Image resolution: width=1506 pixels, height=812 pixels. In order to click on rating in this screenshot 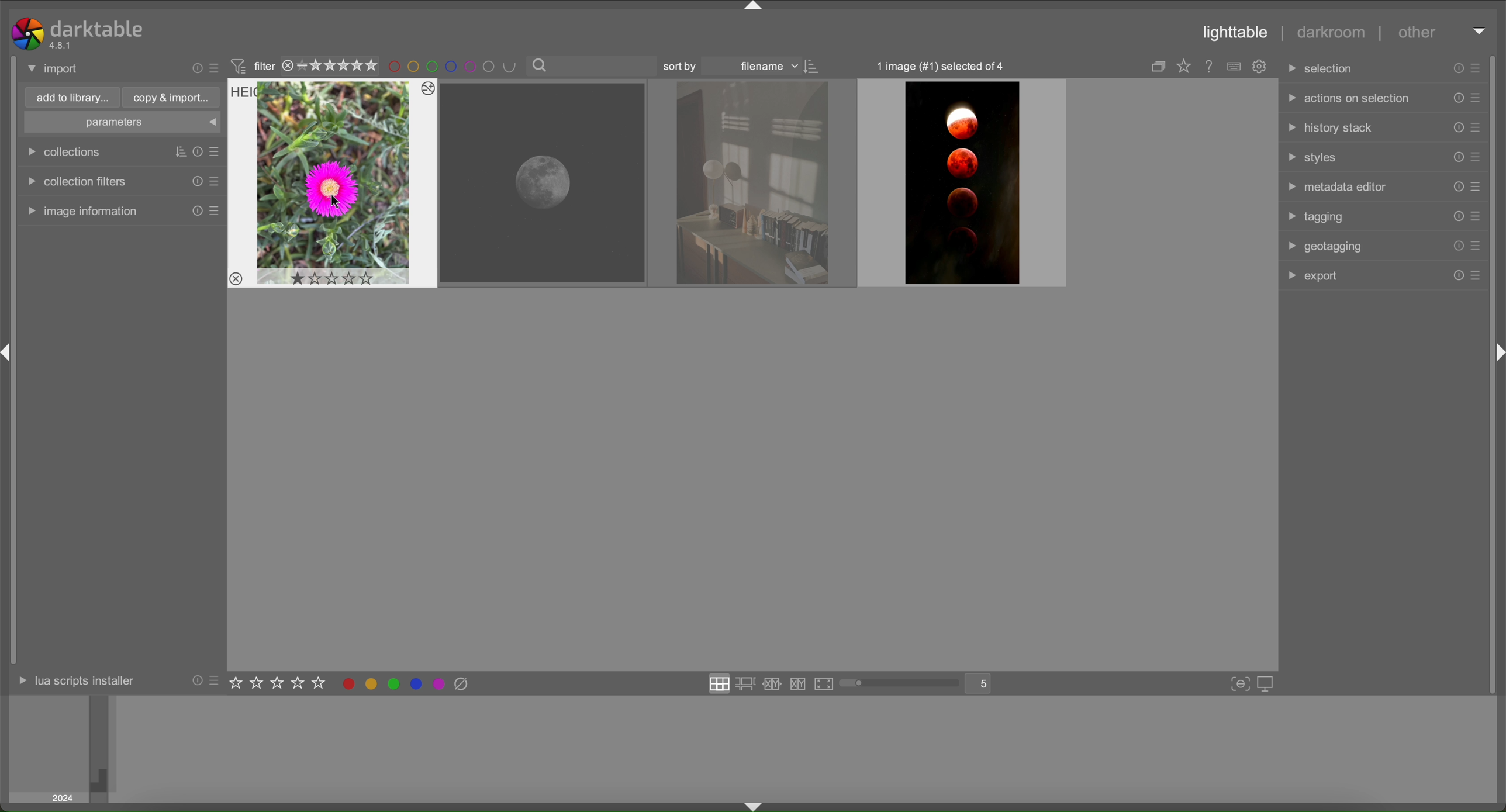, I will do `click(279, 685)`.